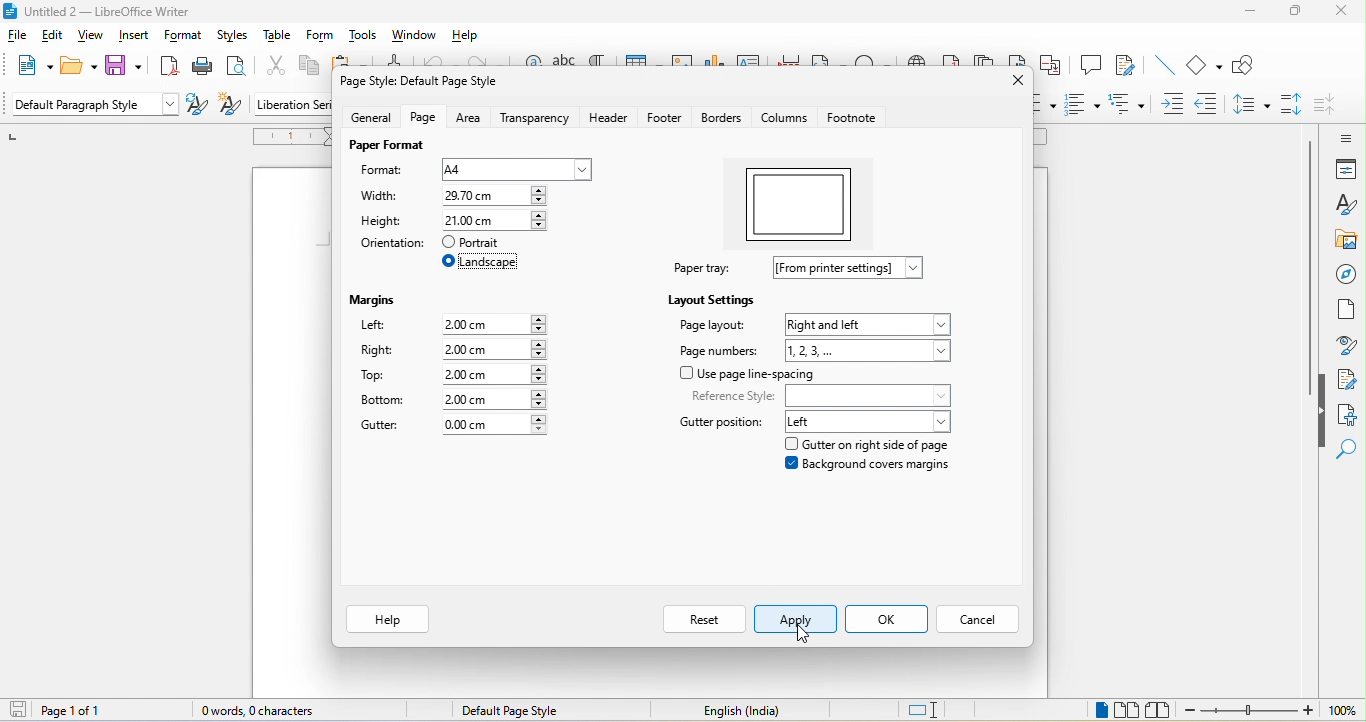 This screenshot has height=722, width=1366. Describe the element at coordinates (1088, 67) in the screenshot. I see `comment` at that location.